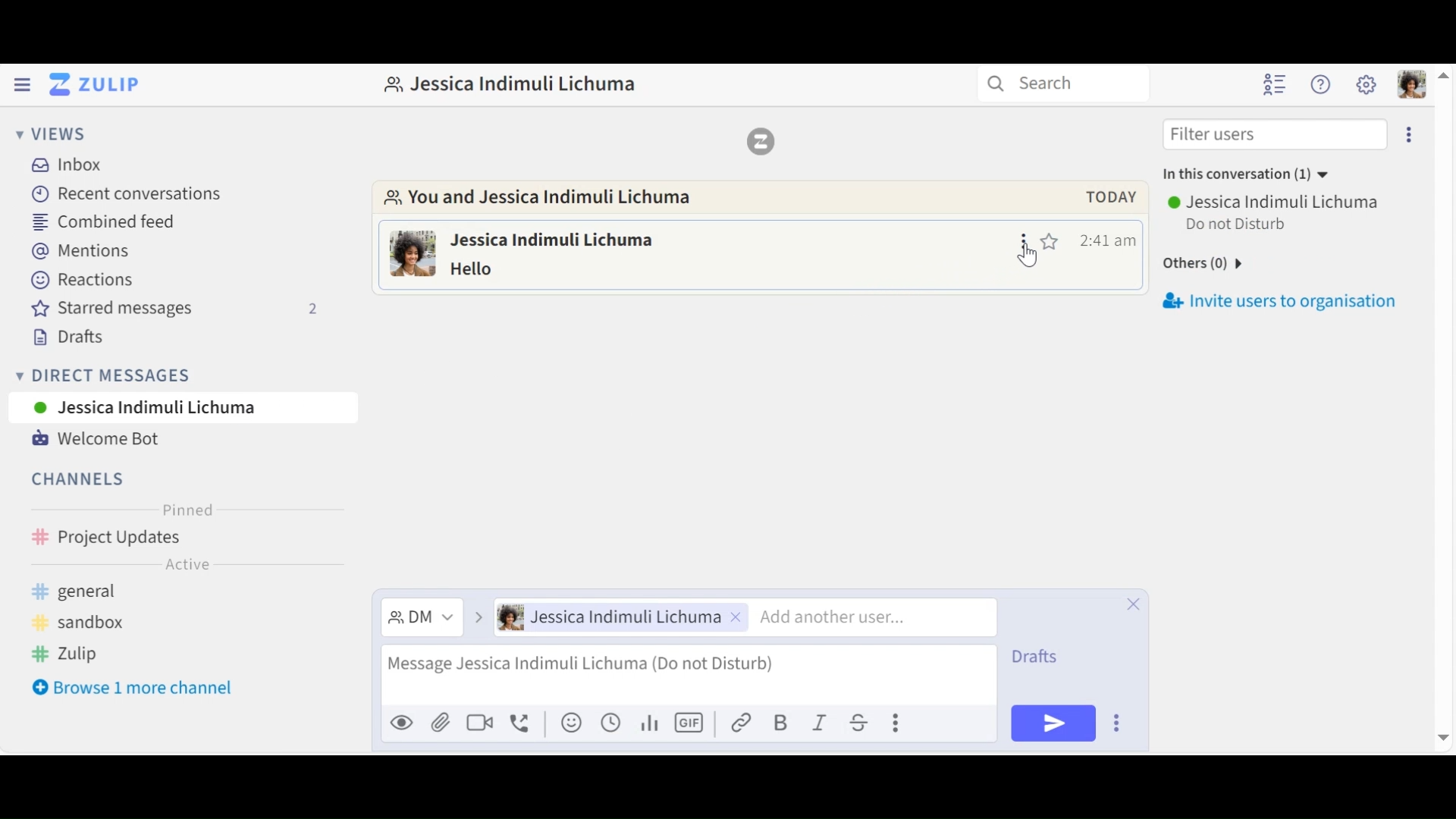 The width and height of the screenshot is (1456, 819). Describe the element at coordinates (1278, 300) in the screenshot. I see `Invite users to organisation` at that location.